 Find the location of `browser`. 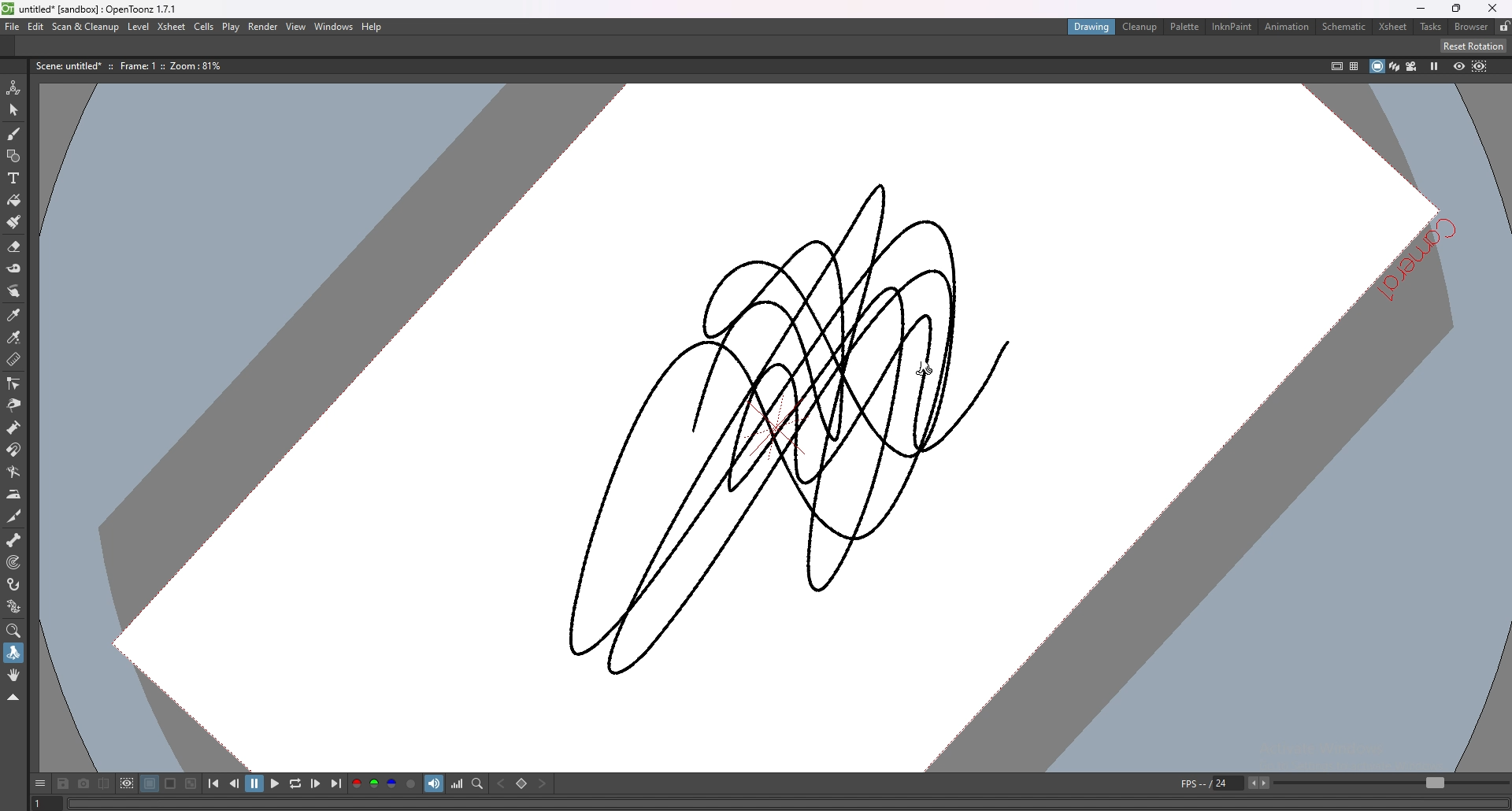

browser is located at coordinates (1472, 26).